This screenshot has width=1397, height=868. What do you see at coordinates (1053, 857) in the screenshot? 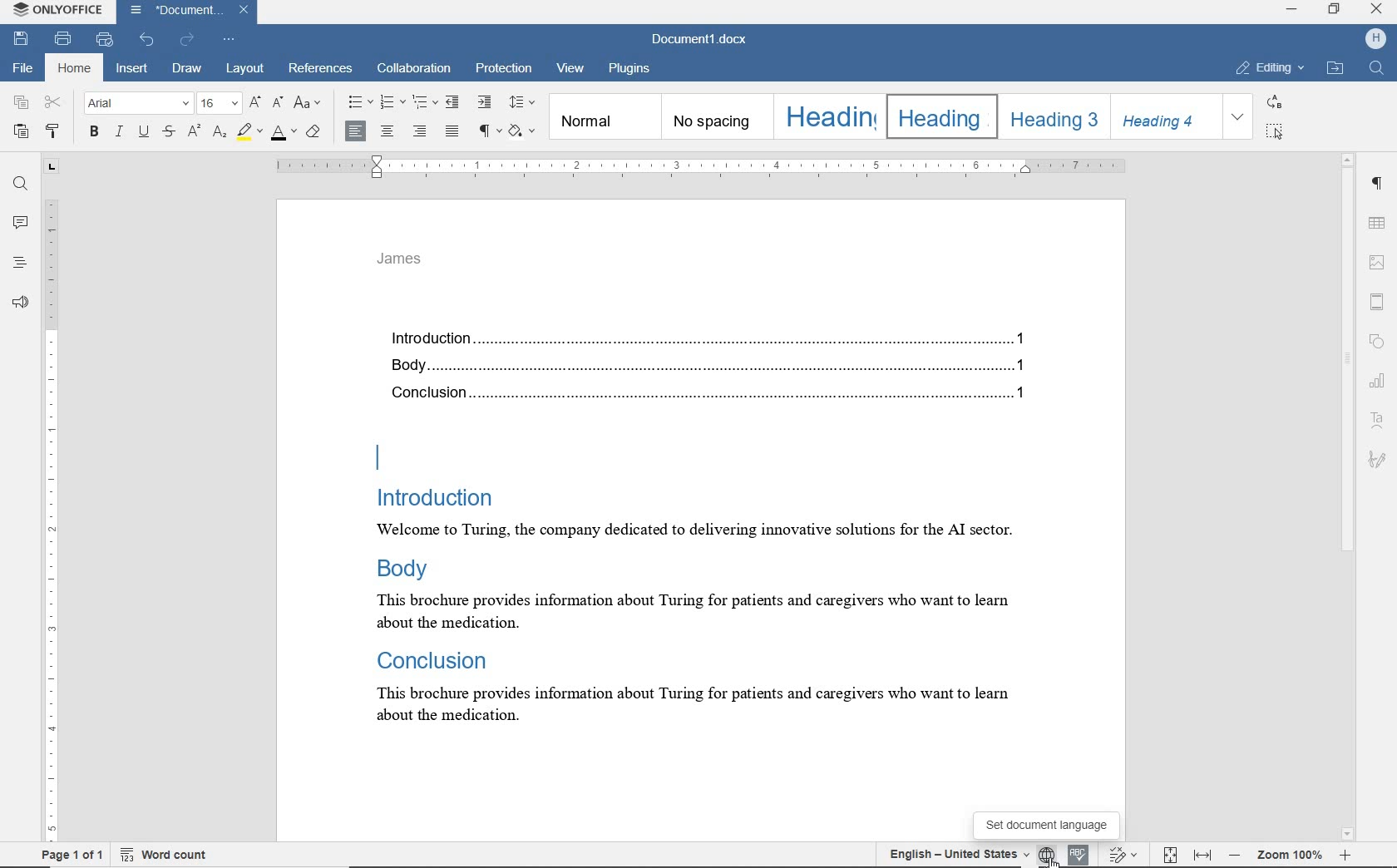
I see `Cursor` at bounding box center [1053, 857].